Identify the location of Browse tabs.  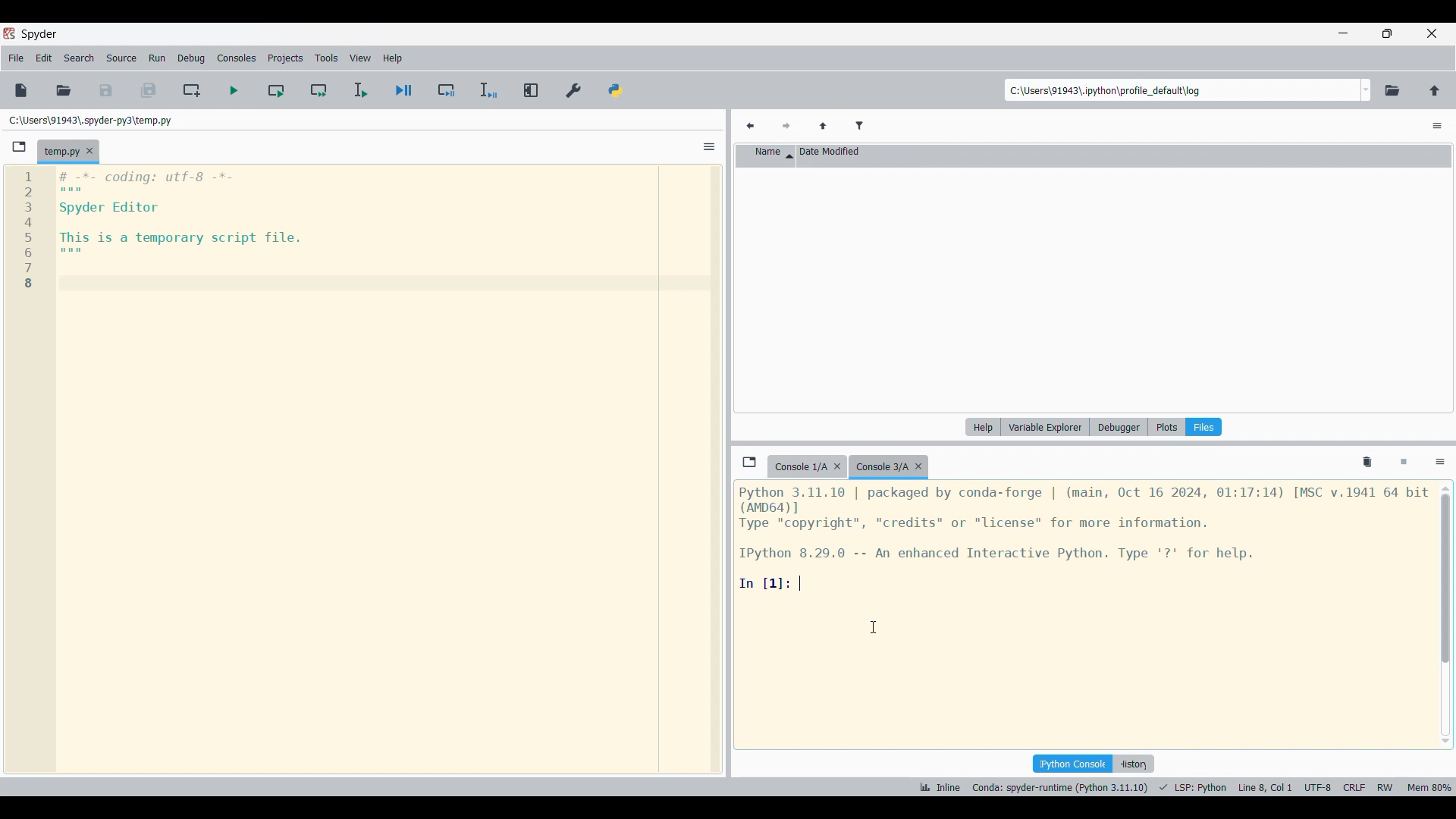
(749, 462).